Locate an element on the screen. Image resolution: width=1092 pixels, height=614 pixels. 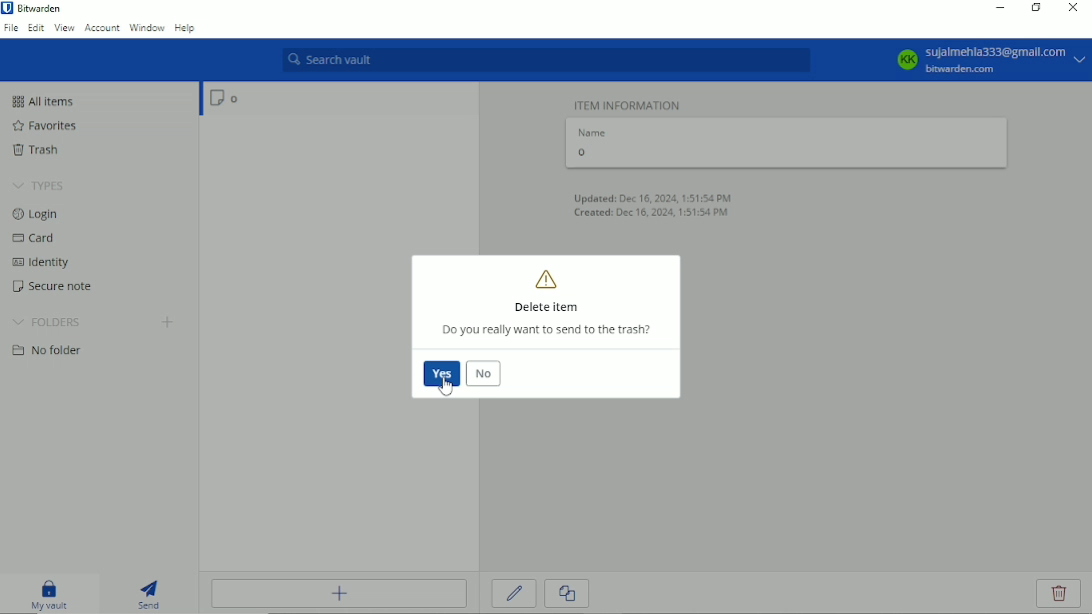
Search vault is located at coordinates (541, 61).